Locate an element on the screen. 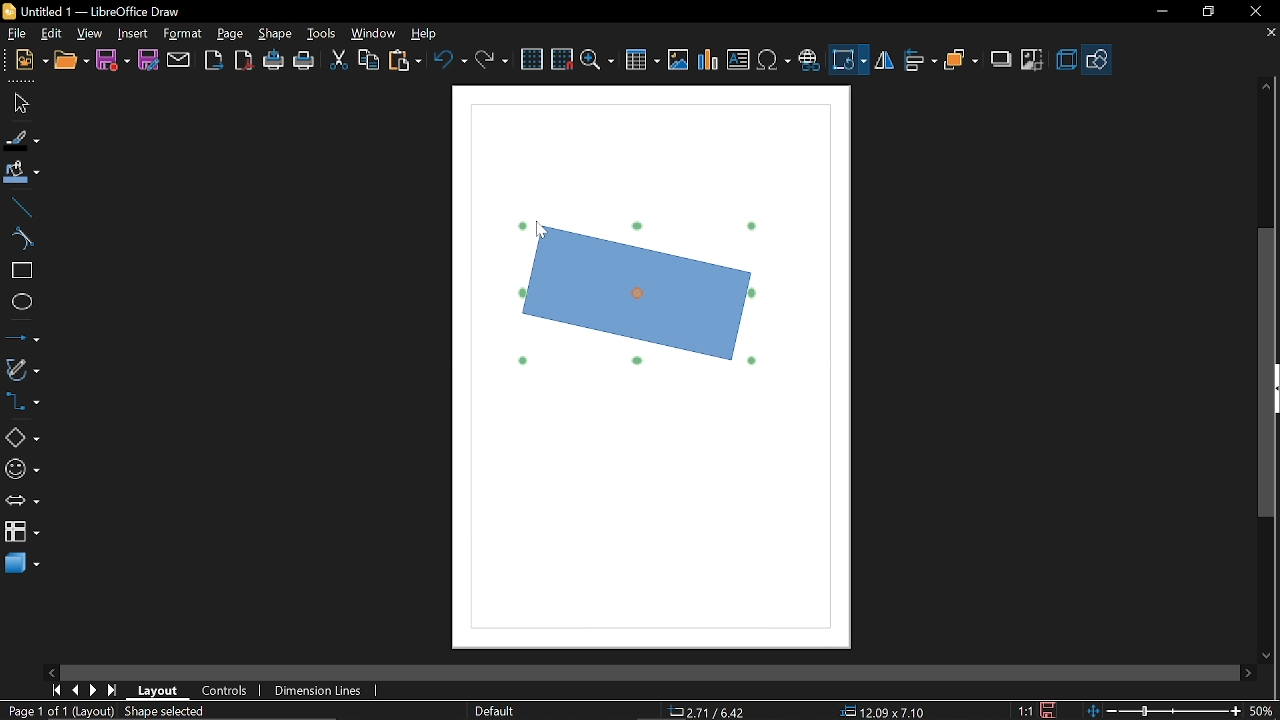  arrows is located at coordinates (22, 503).